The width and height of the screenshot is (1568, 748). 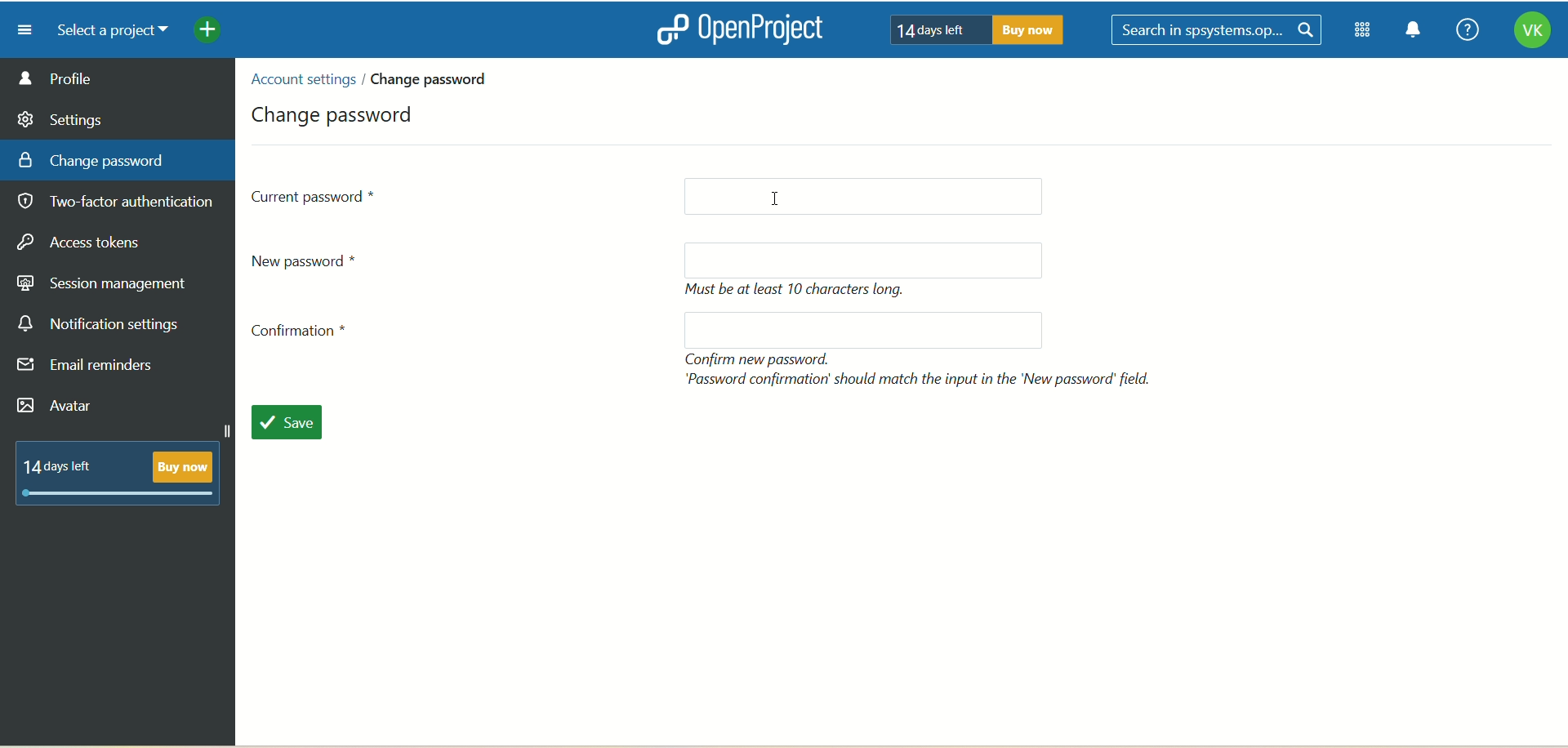 I want to click on change password, so click(x=336, y=112).